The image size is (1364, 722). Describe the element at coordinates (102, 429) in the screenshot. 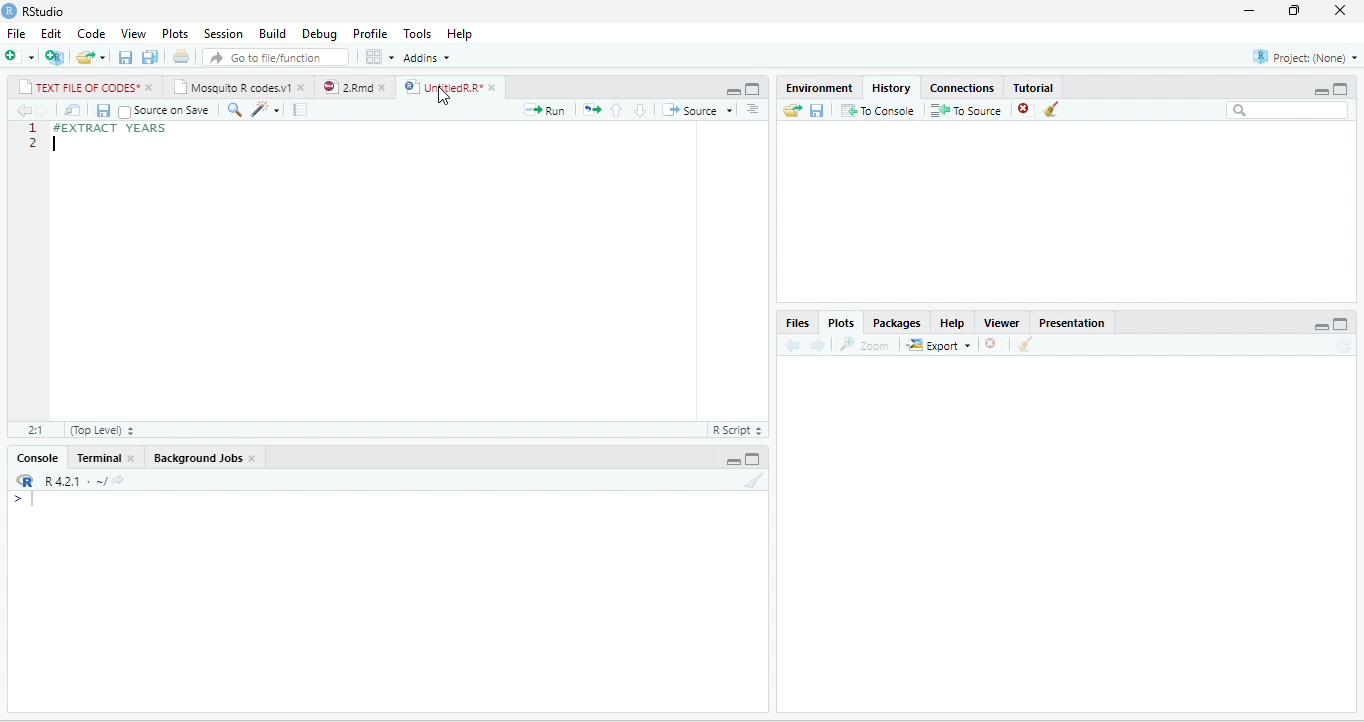

I see `Top Level` at that location.